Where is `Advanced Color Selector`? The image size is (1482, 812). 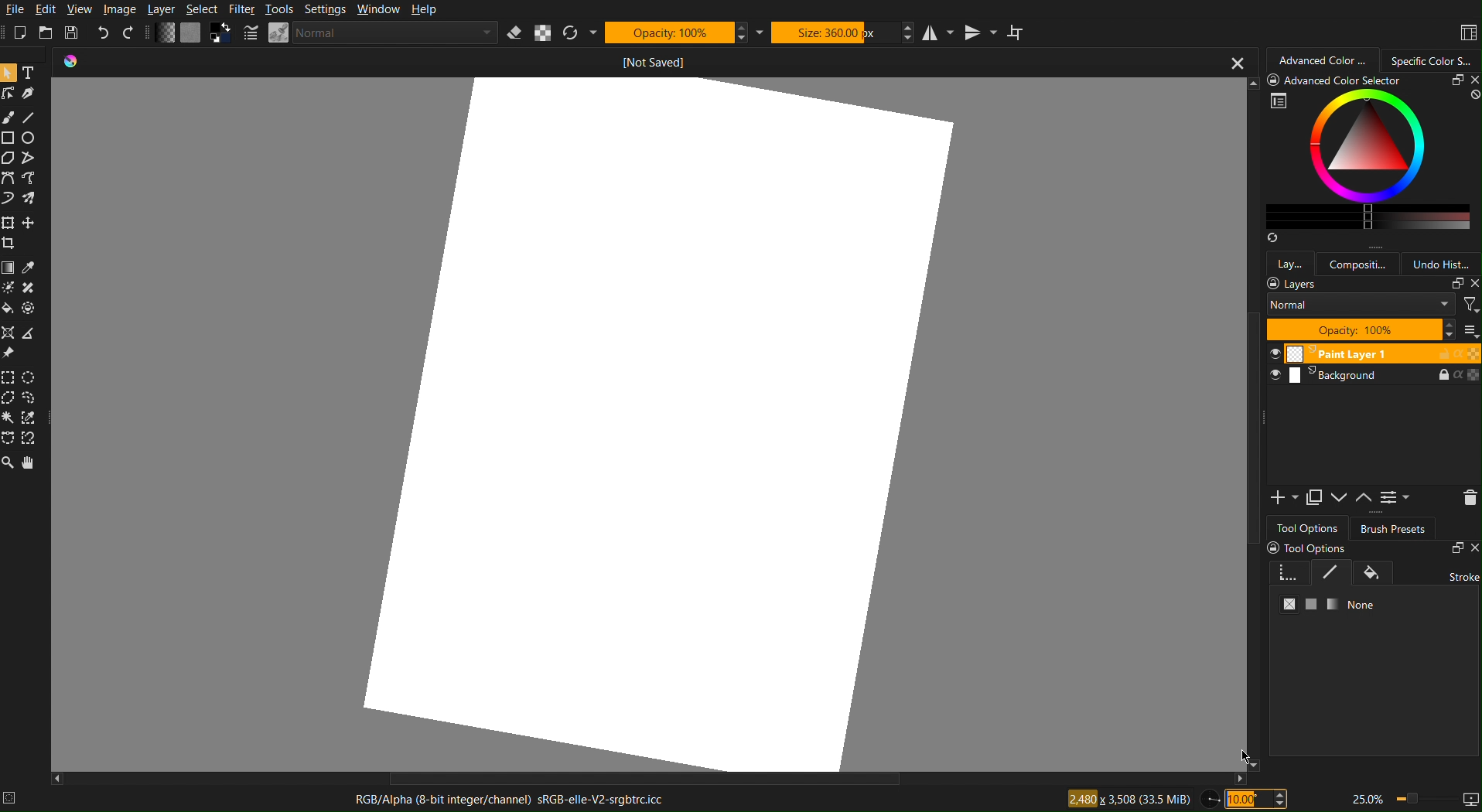
Advanced Color Selector is located at coordinates (1323, 60).